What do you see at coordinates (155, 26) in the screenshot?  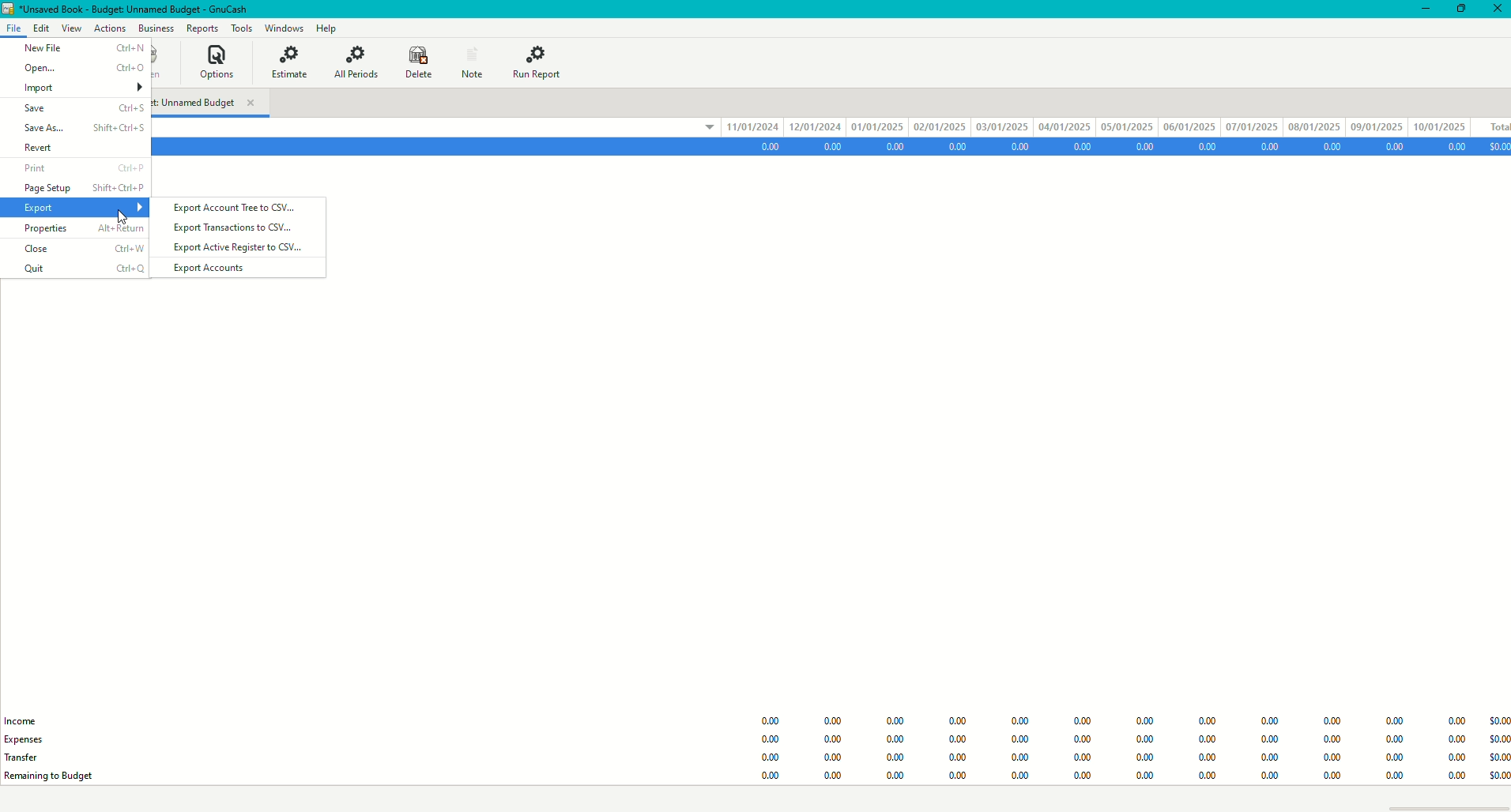 I see `Business` at bounding box center [155, 26].